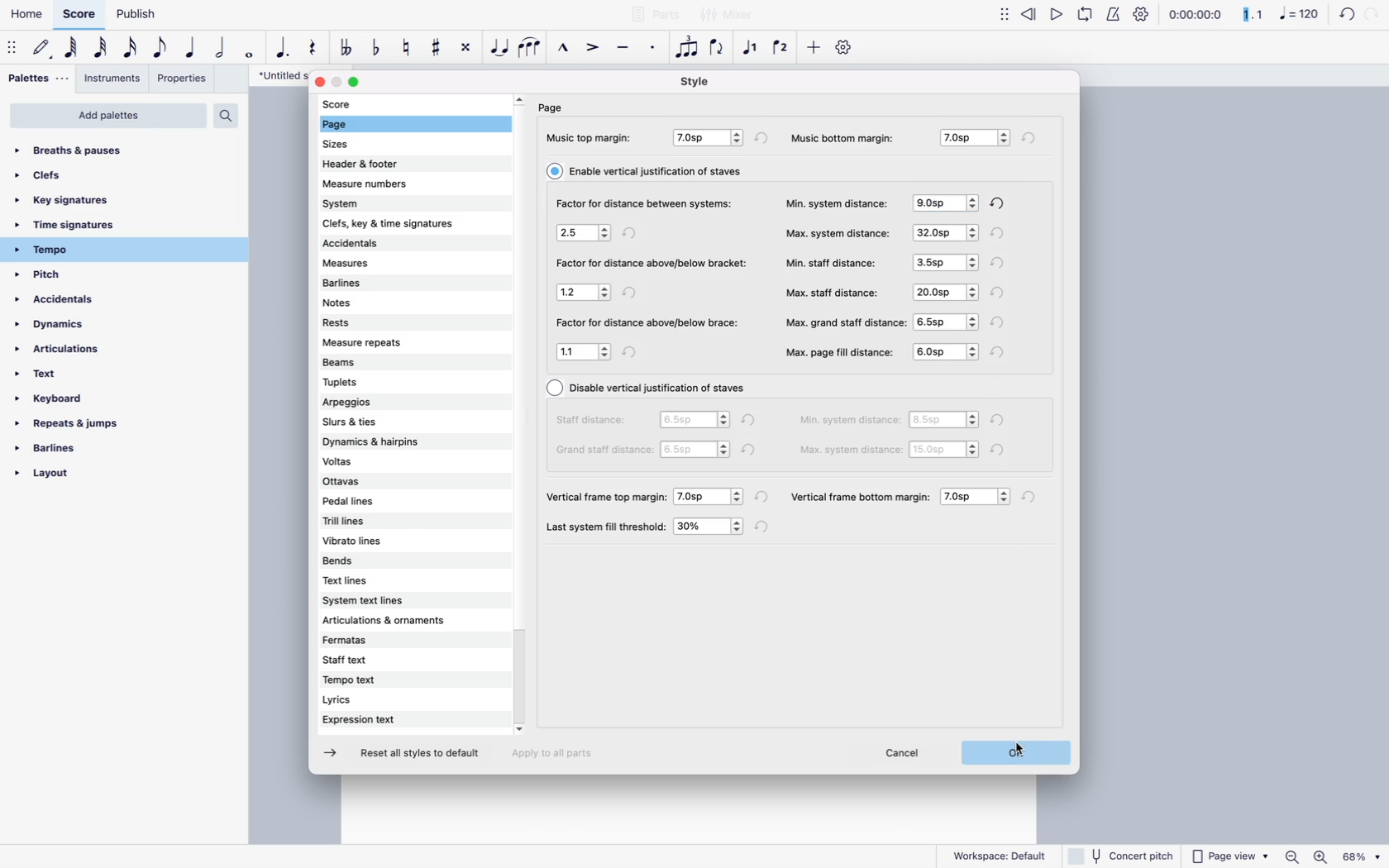 The width and height of the screenshot is (1389, 868). What do you see at coordinates (971, 138) in the screenshot?
I see `options` at bounding box center [971, 138].